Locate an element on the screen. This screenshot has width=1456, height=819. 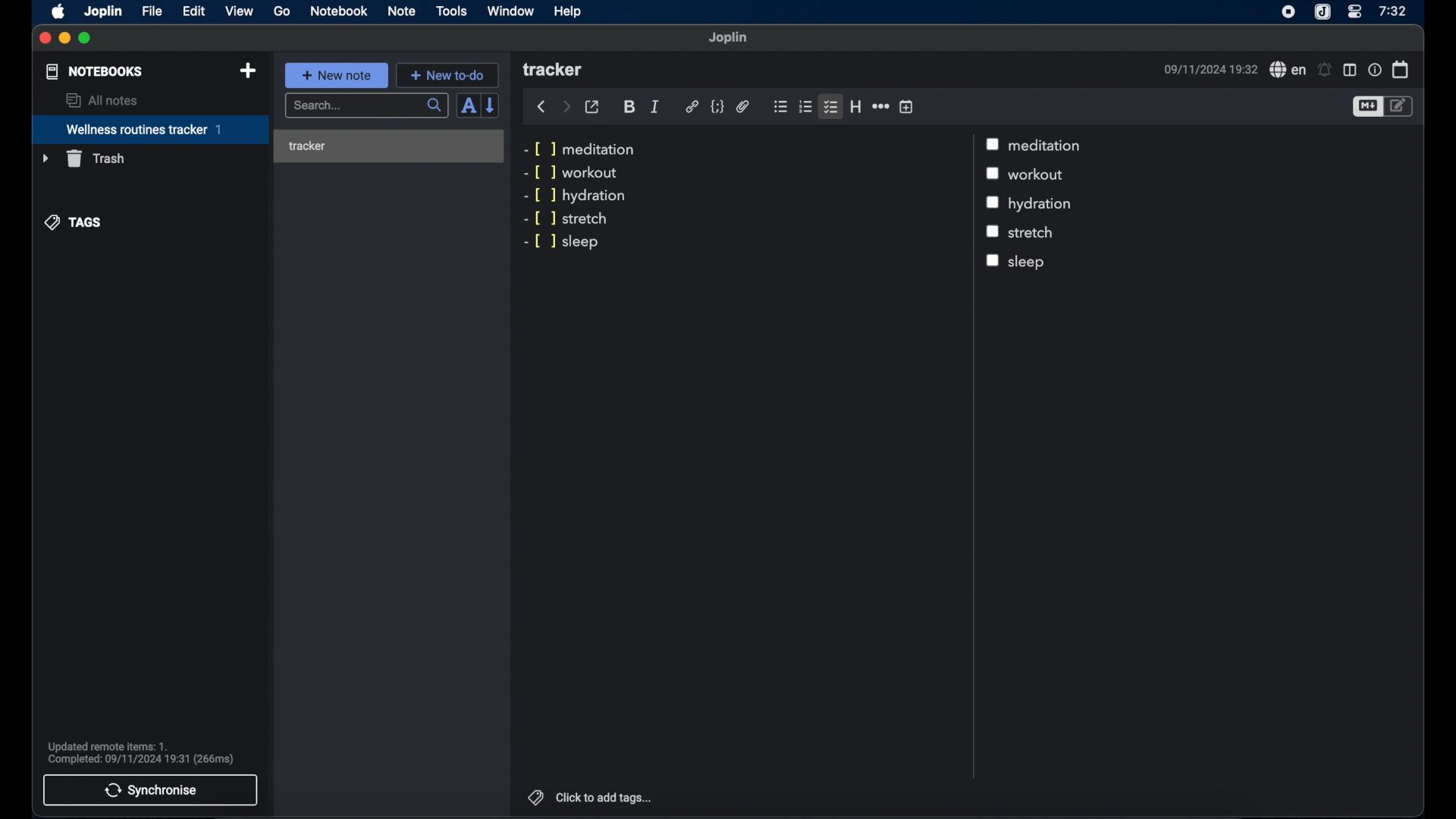
tools is located at coordinates (452, 11).